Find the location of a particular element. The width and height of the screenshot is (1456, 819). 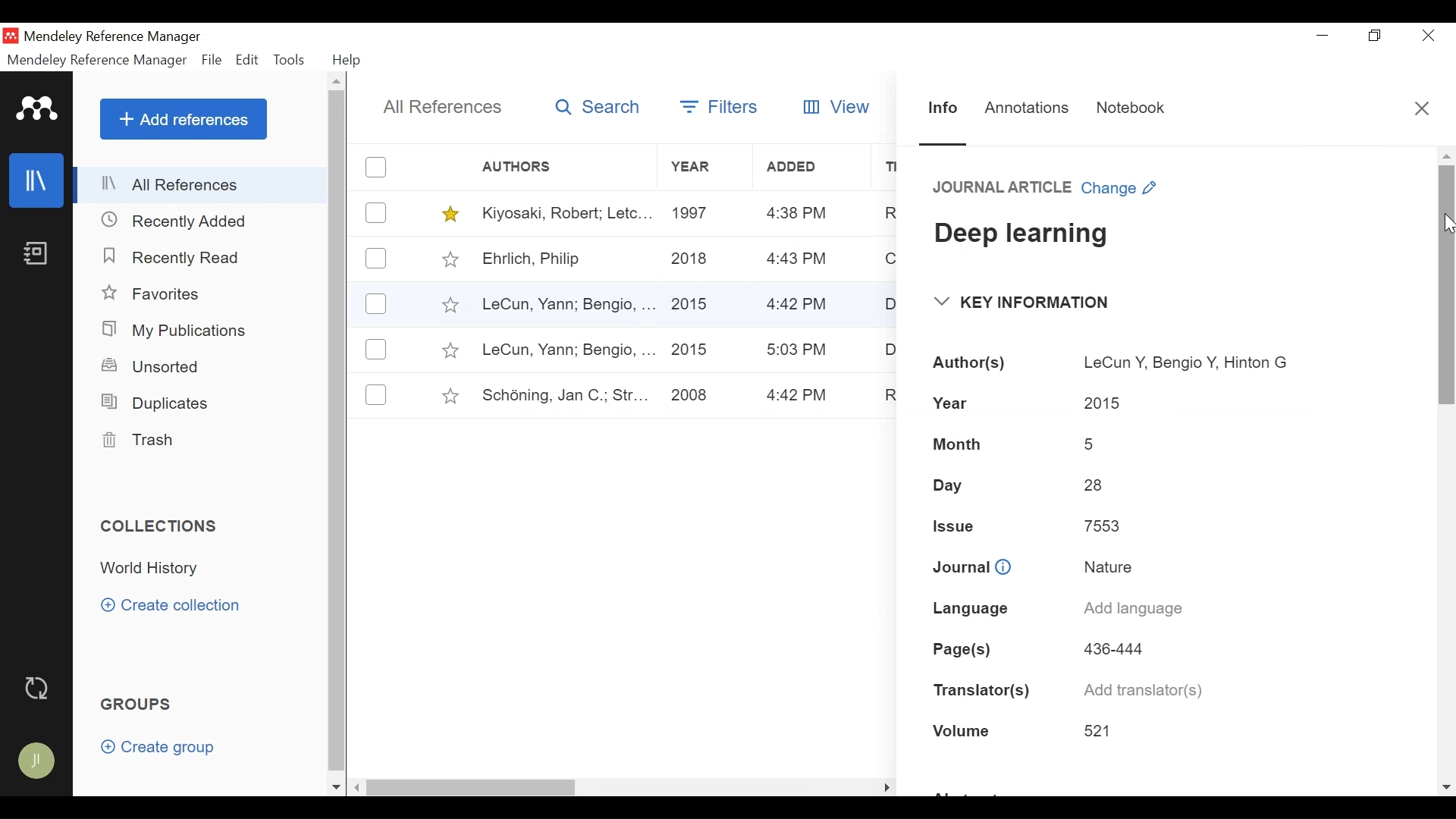

Reference Type is located at coordinates (1003, 189).